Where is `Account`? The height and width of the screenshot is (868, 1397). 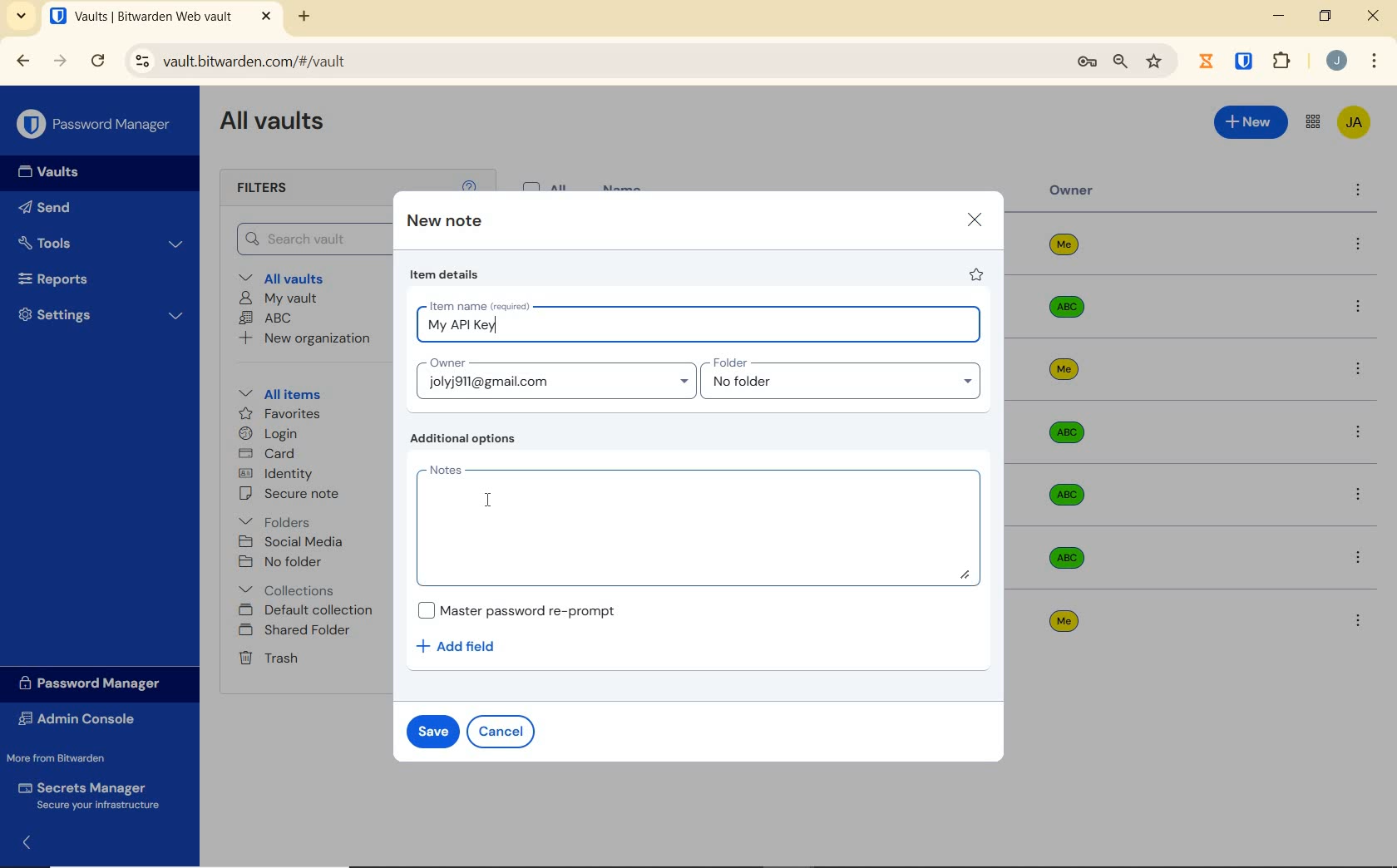
Account is located at coordinates (1337, 62).